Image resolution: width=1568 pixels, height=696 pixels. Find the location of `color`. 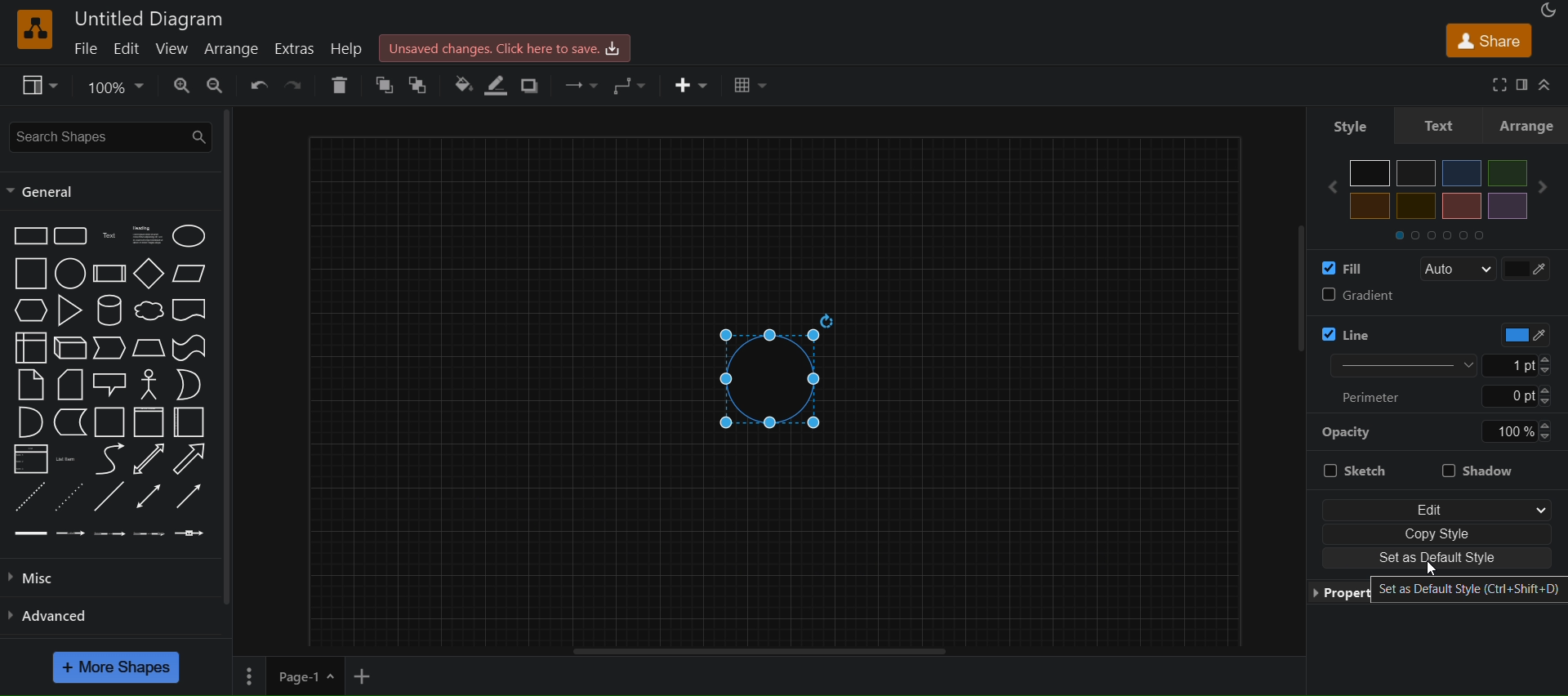

color is located at coordinates (1517, 334).